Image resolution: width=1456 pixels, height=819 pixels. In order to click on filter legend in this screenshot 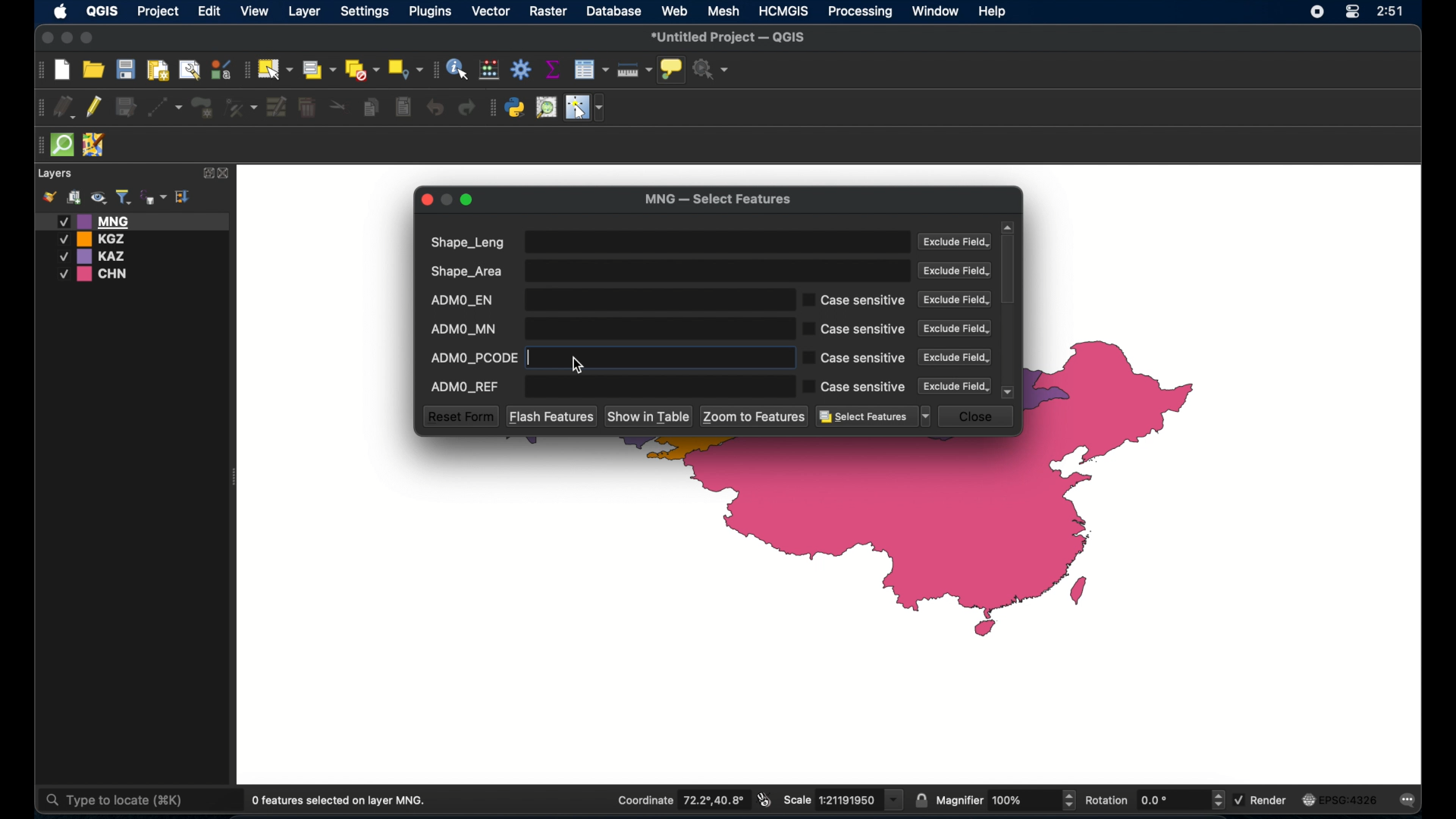, I will do `click(123, 197)`.